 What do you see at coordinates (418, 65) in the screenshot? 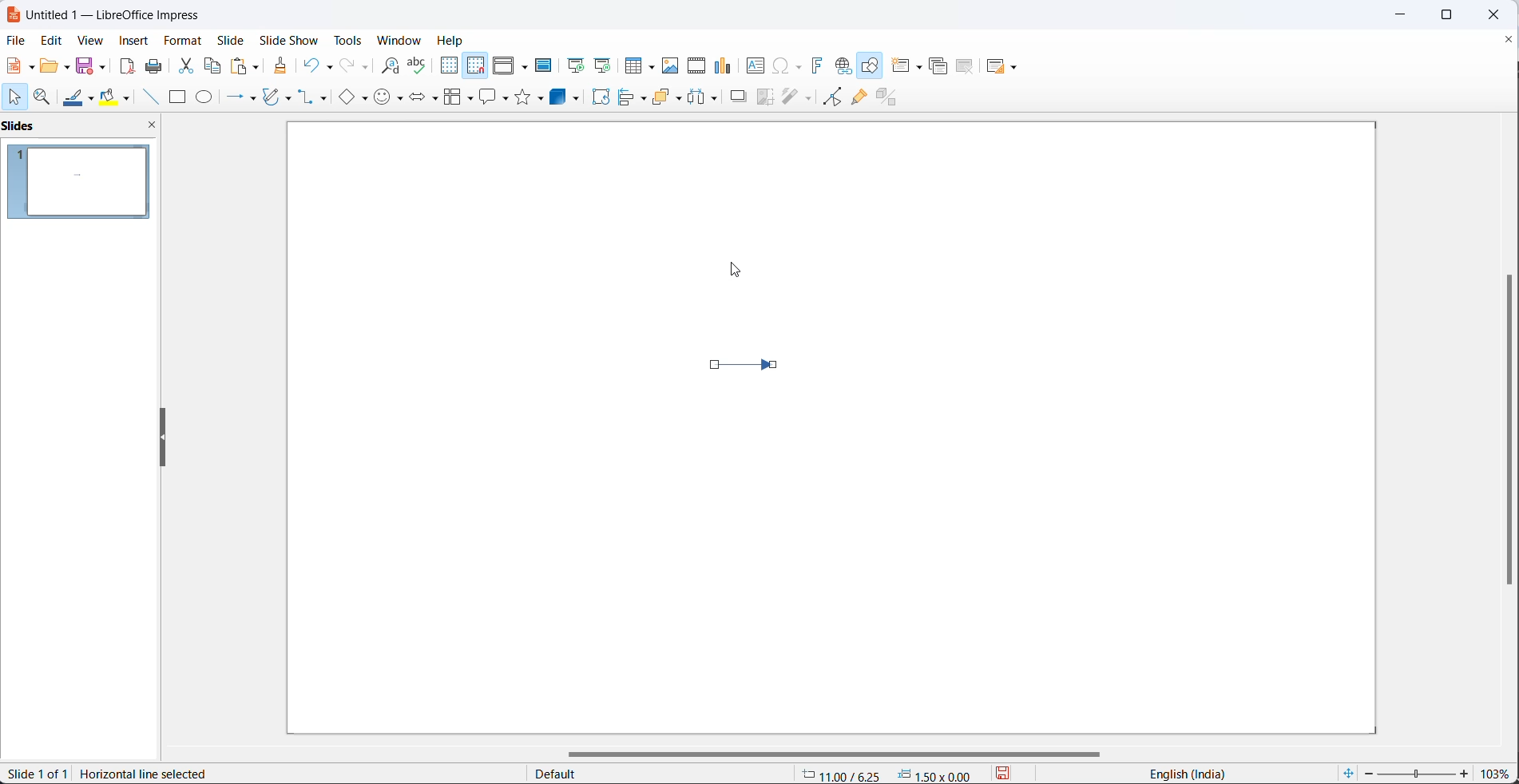
I see `spellings` at bounding box center [418, 65].